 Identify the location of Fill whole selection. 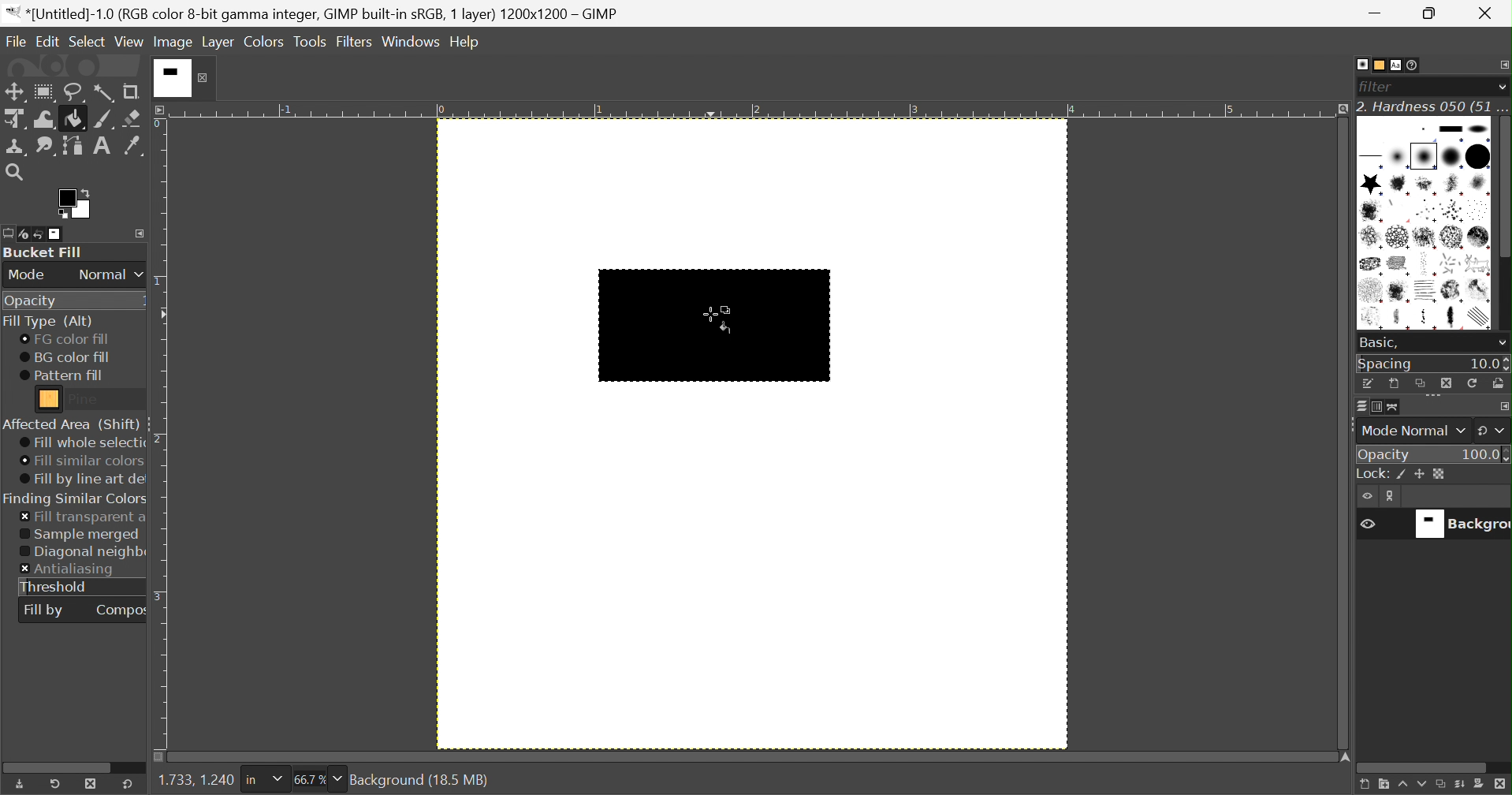
(81, 443).